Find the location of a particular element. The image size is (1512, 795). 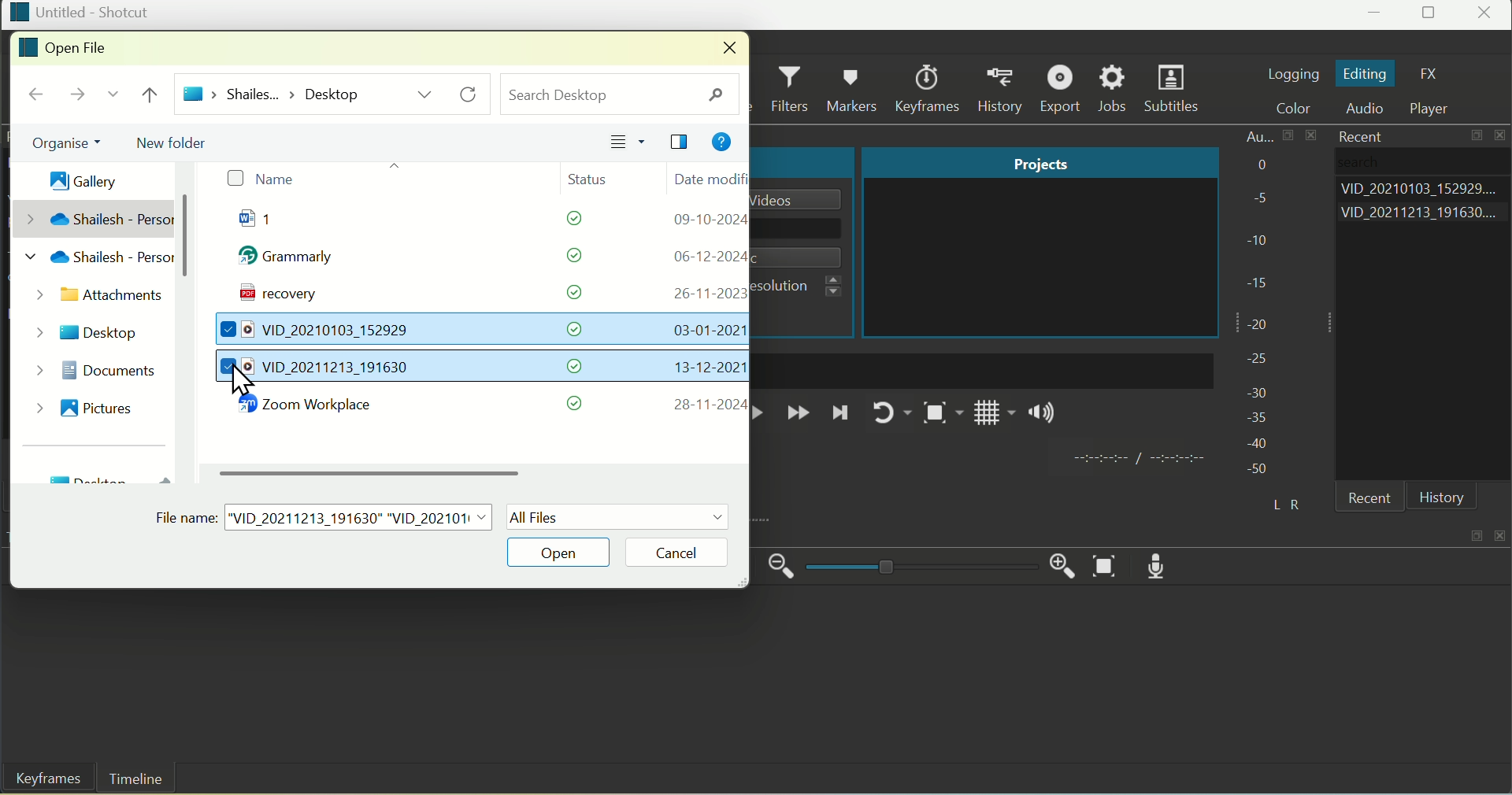

Keyframes is located at coordinates (43, 780).